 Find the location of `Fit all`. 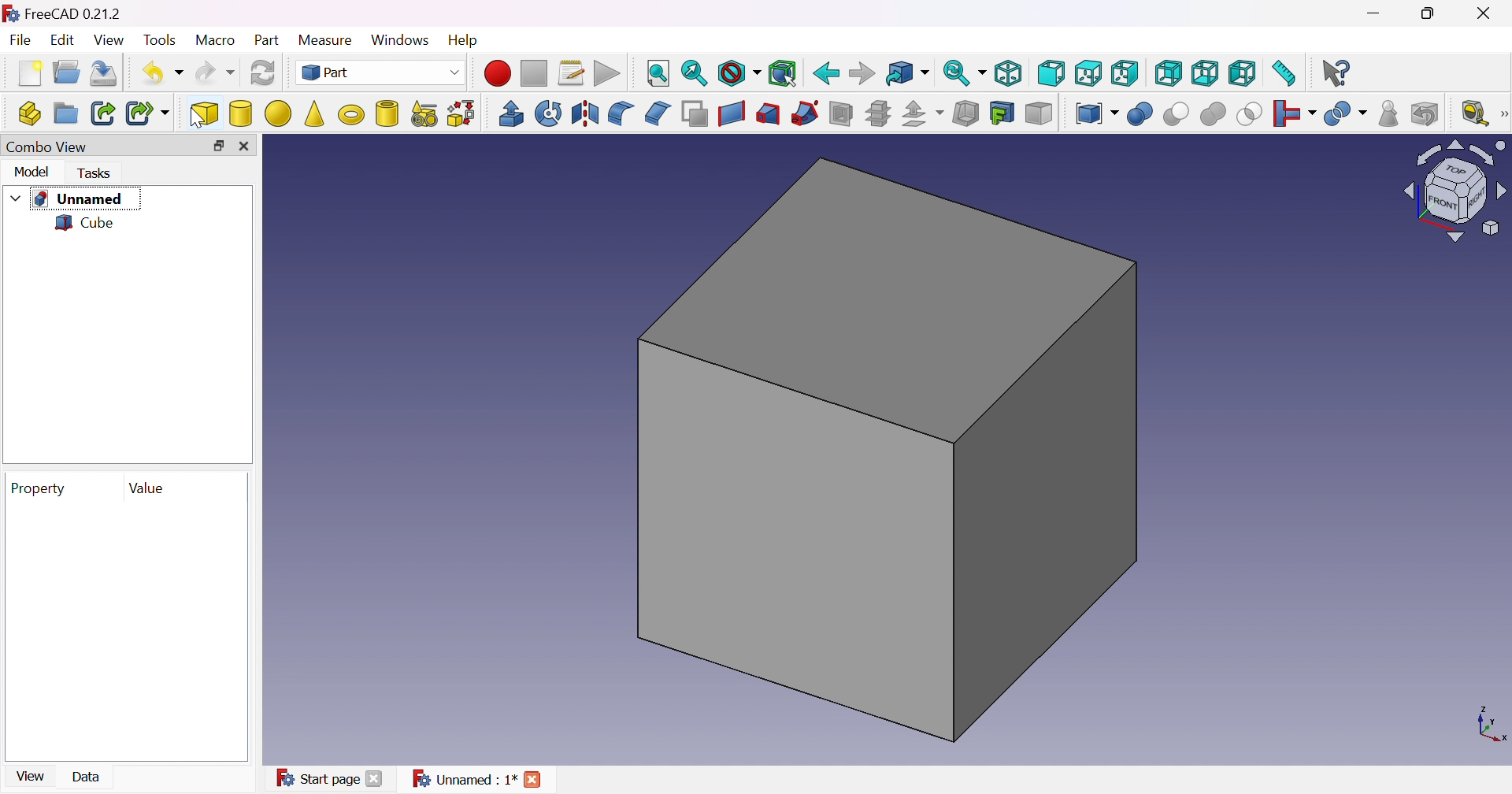

Fit all is located at coordinates (659, 74).